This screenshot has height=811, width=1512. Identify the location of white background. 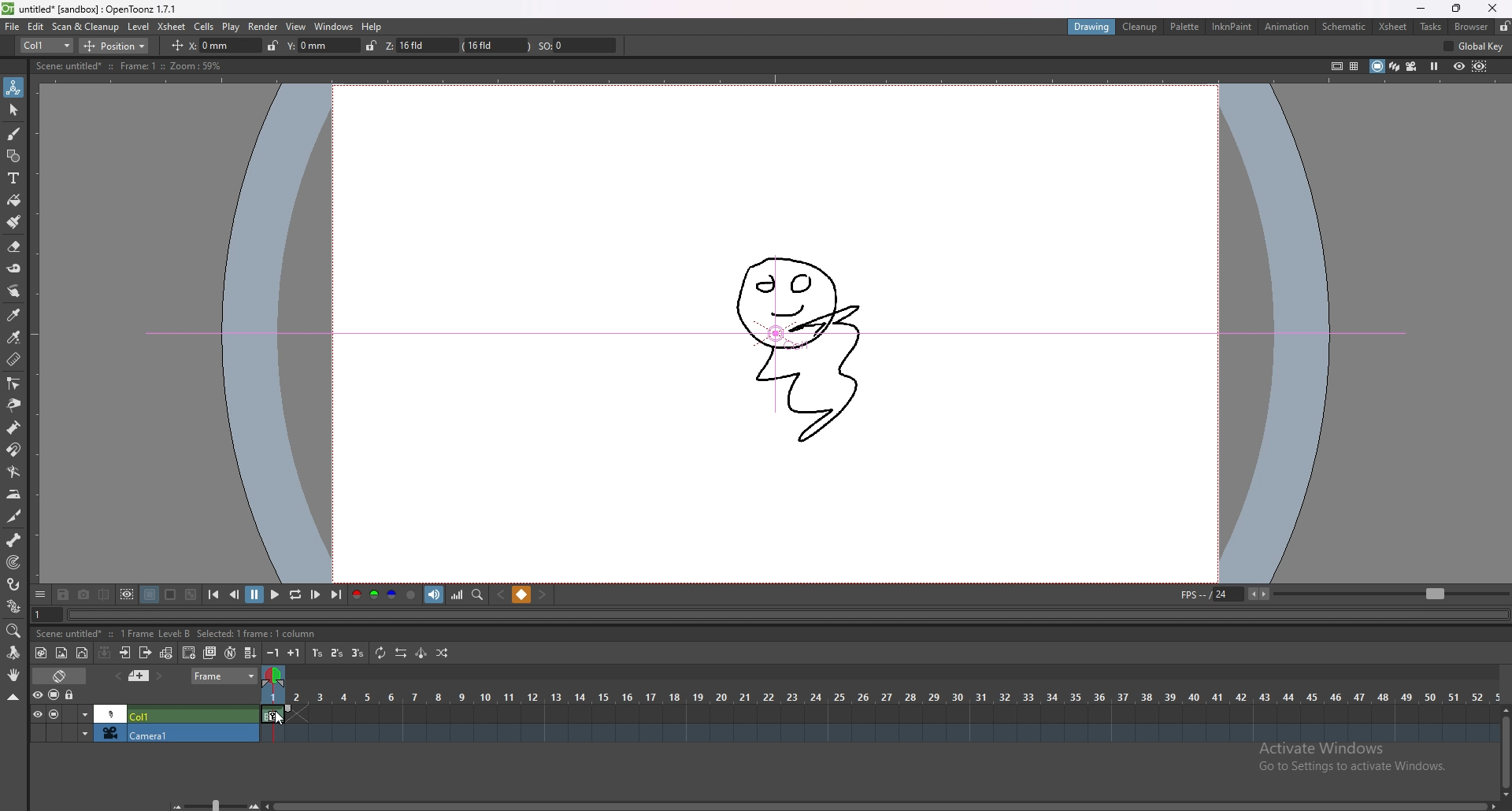
(170, 594).